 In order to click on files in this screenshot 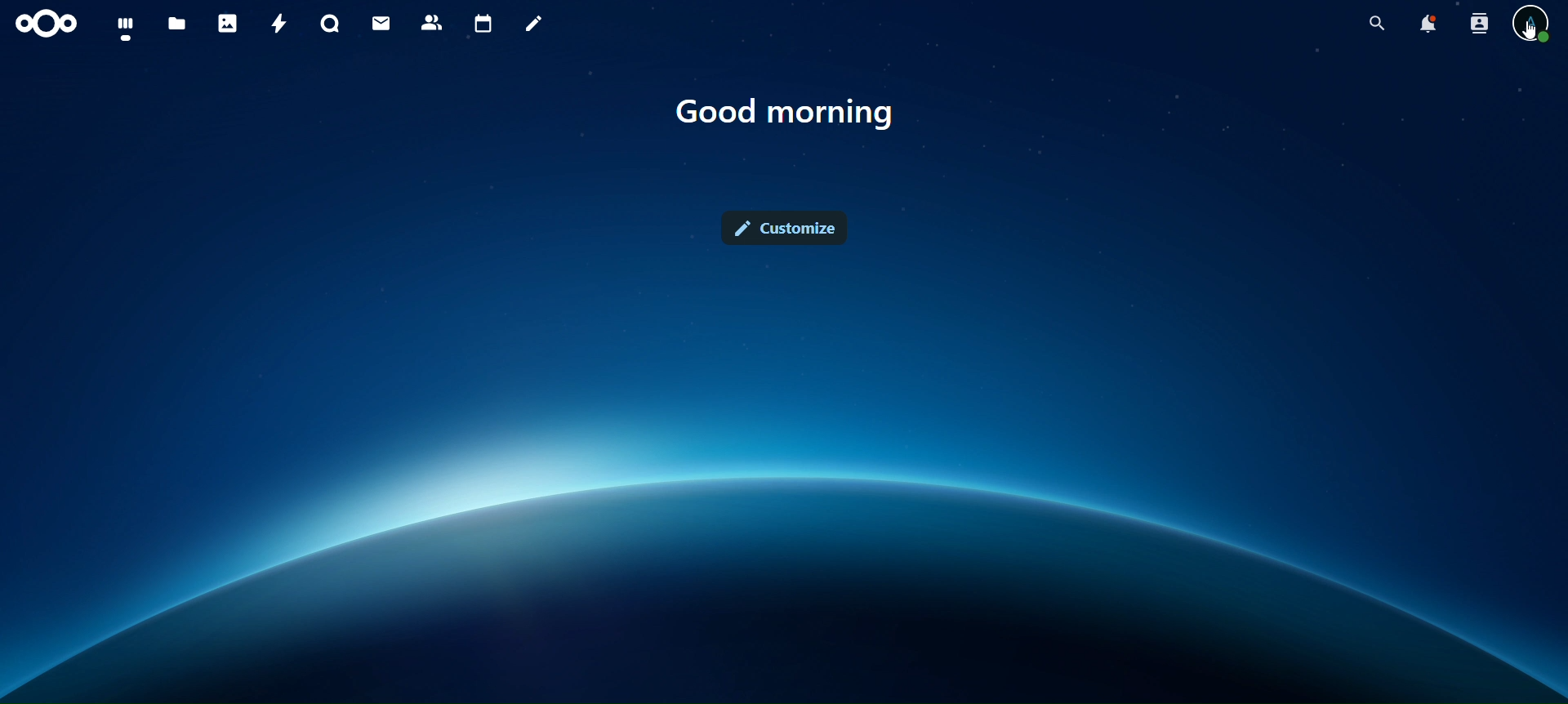, I will do `click(177, 21)`.